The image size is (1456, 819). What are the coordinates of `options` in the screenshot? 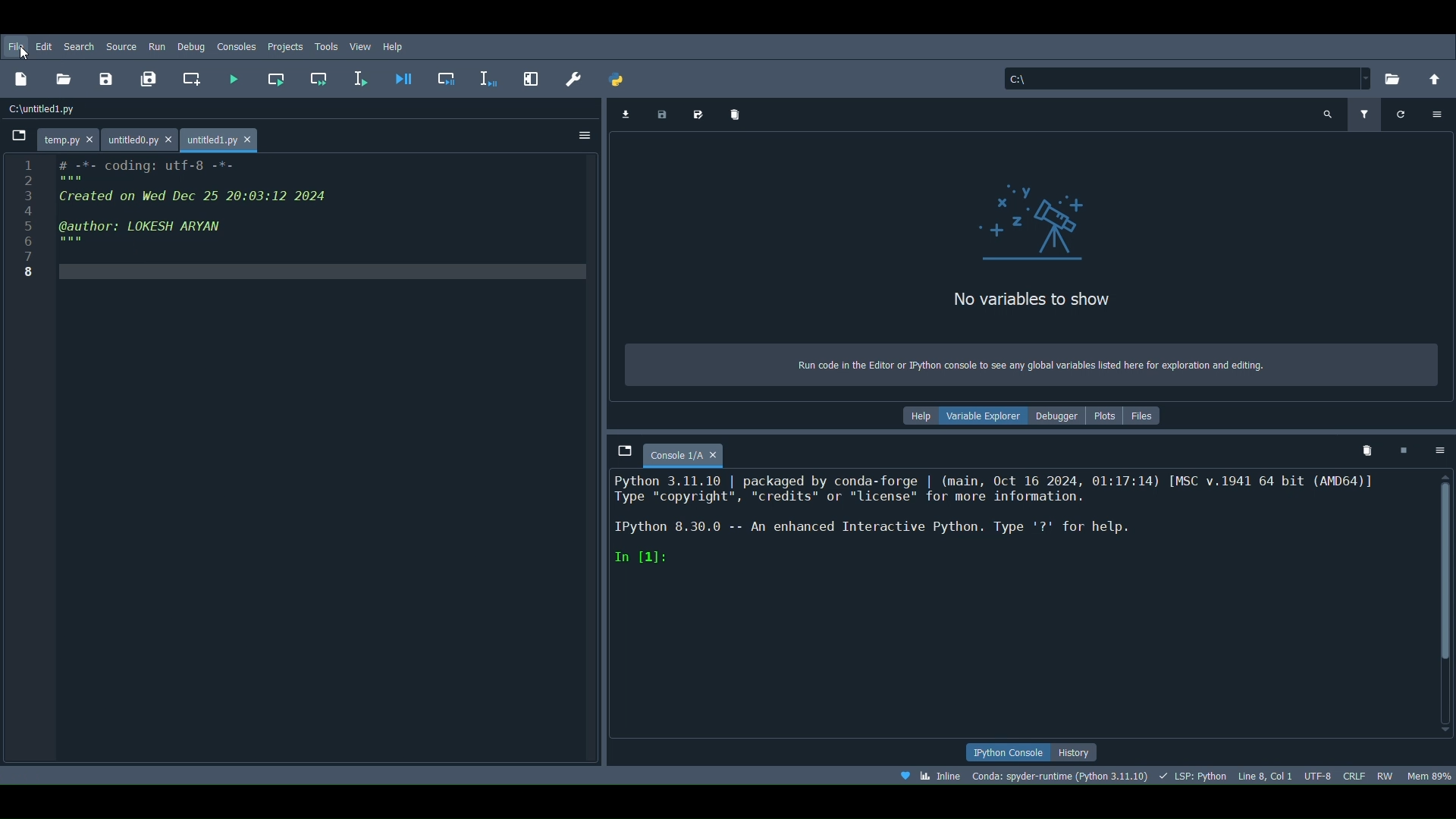 It's located at (1432, 114).